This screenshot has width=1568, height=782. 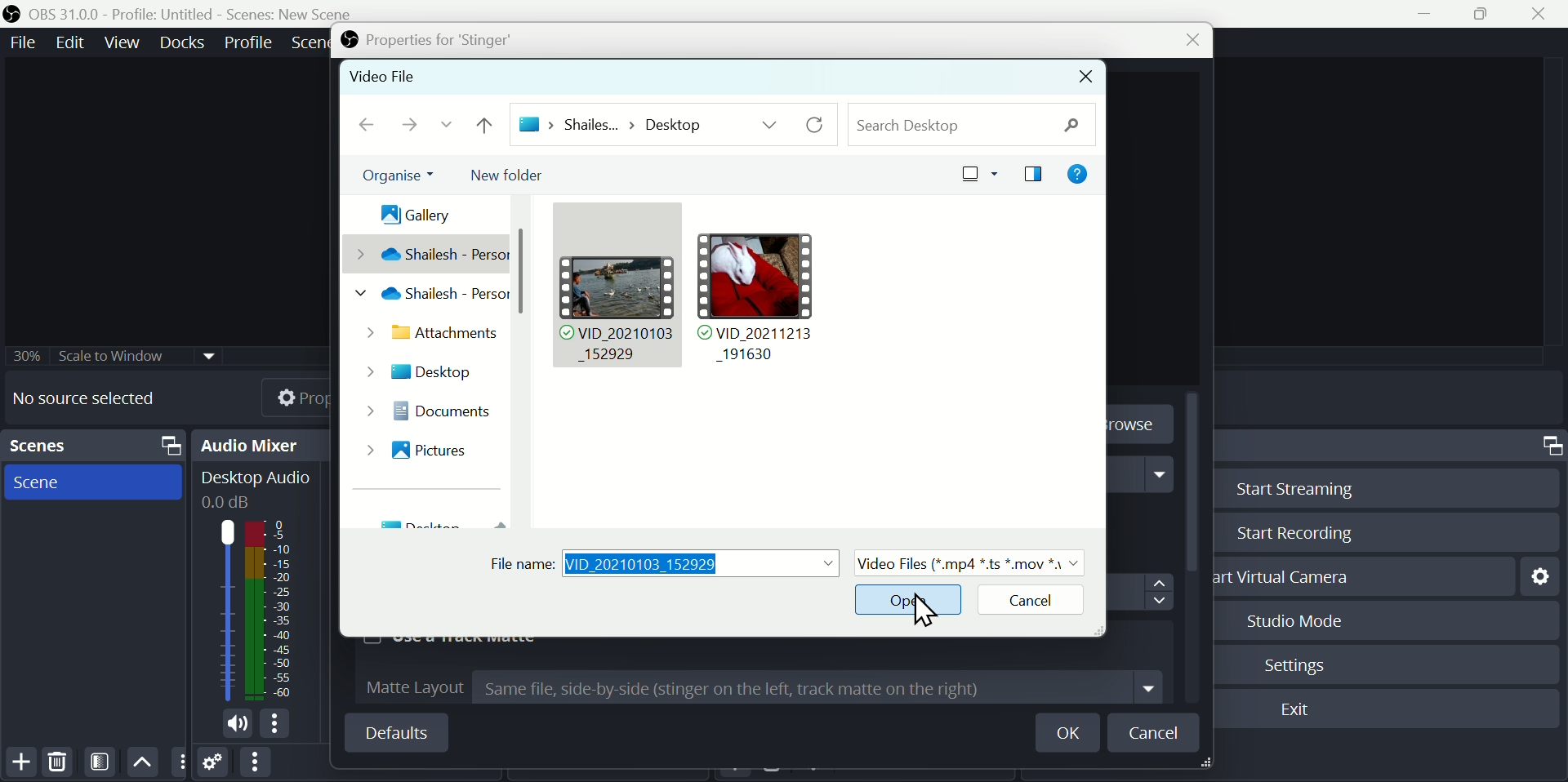 What do you see at coordinates (1185, 42) in the screenshot?
I see `Close` at bounding box center [1185, 42].